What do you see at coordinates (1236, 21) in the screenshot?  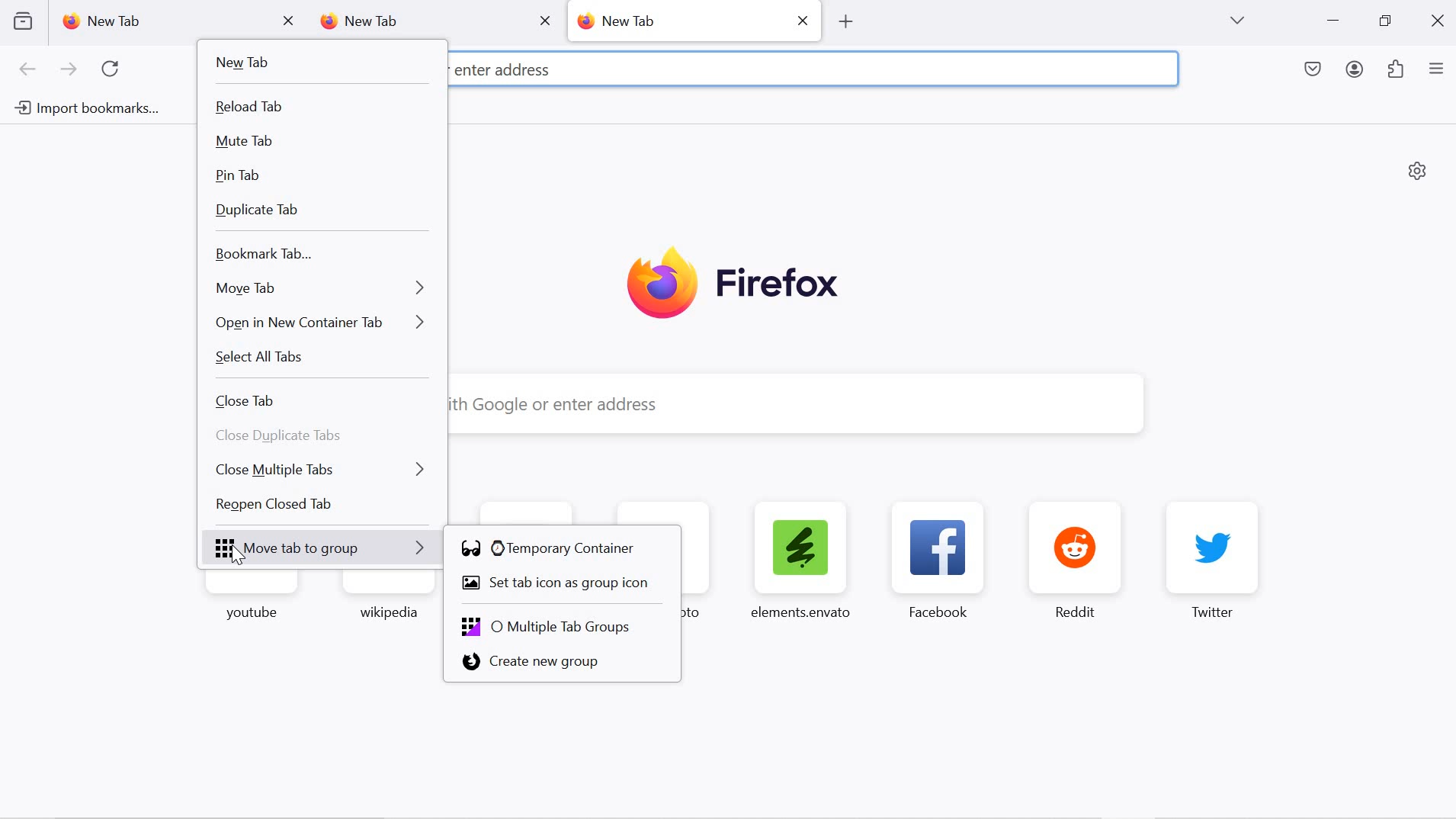 I see `list all tabs` at bounding box center [1236, 21].